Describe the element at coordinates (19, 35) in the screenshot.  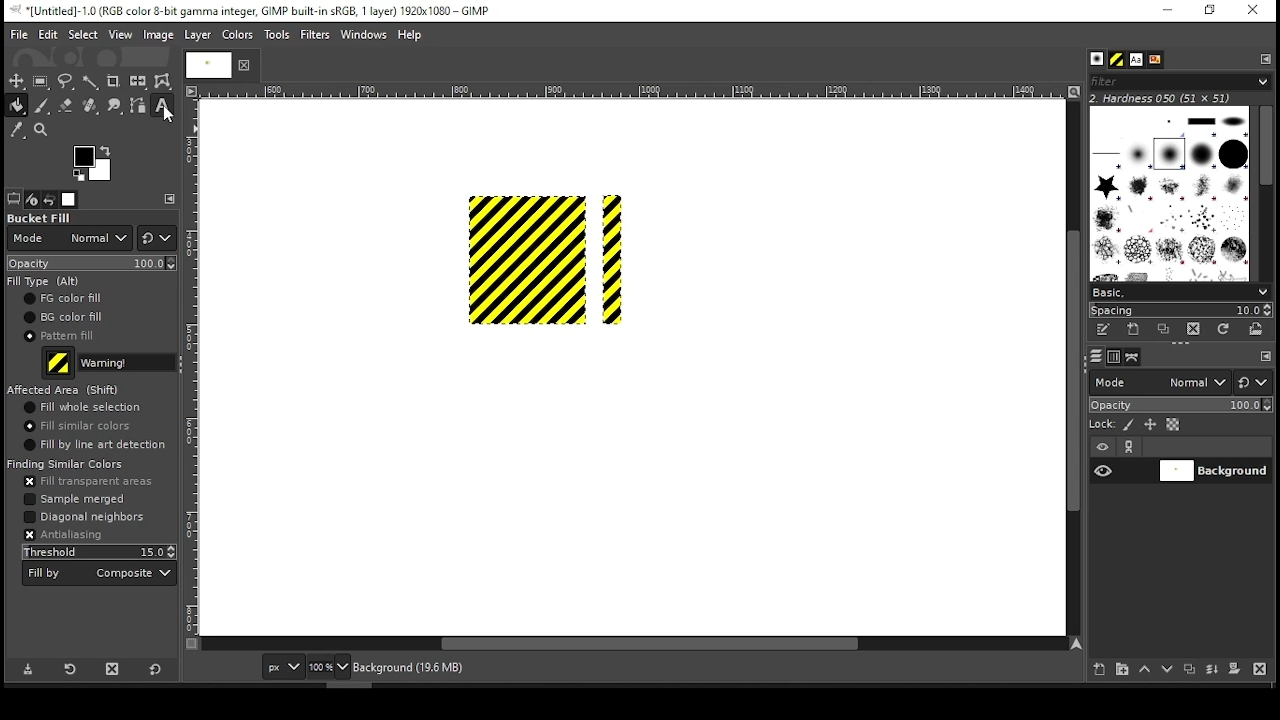
I see `file` at that location.